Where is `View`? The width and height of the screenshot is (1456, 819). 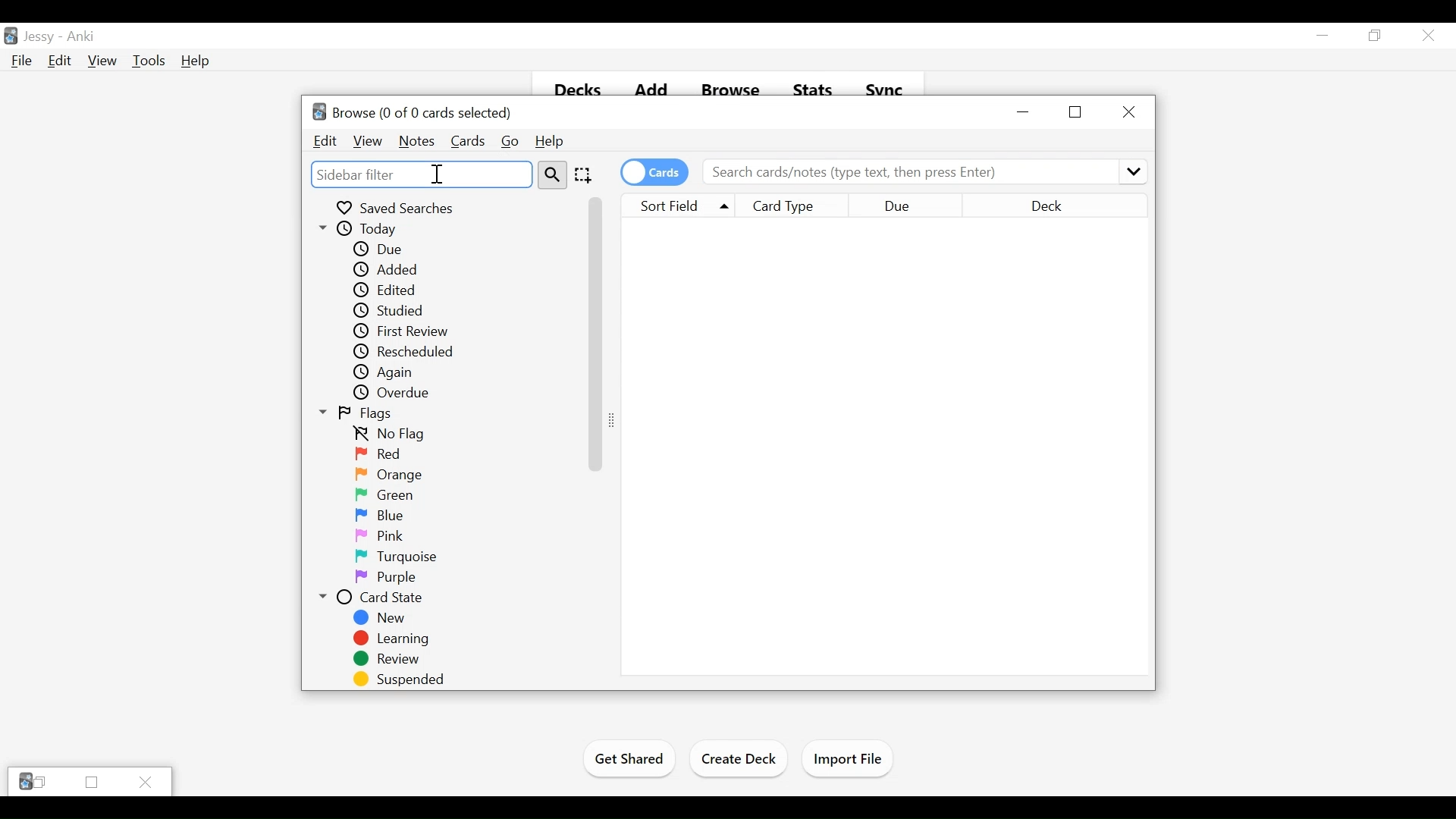
View is located at coordinates (366, 141).